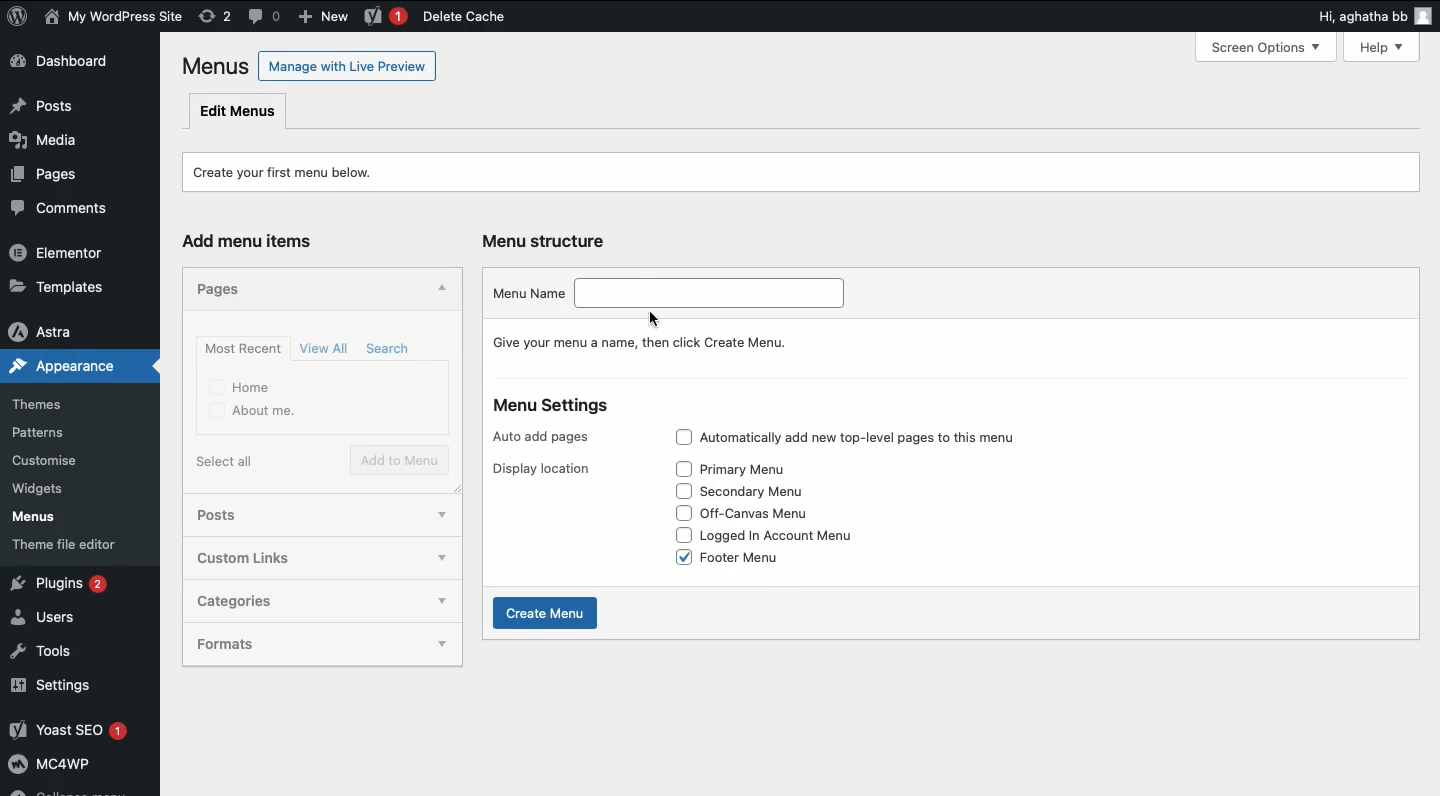 This screenshot has width=1440, height=796. What do you see at coordinates (1274, 47) in the screenshot?
I see `Screen Options ` at bounding box center [1274, 47].